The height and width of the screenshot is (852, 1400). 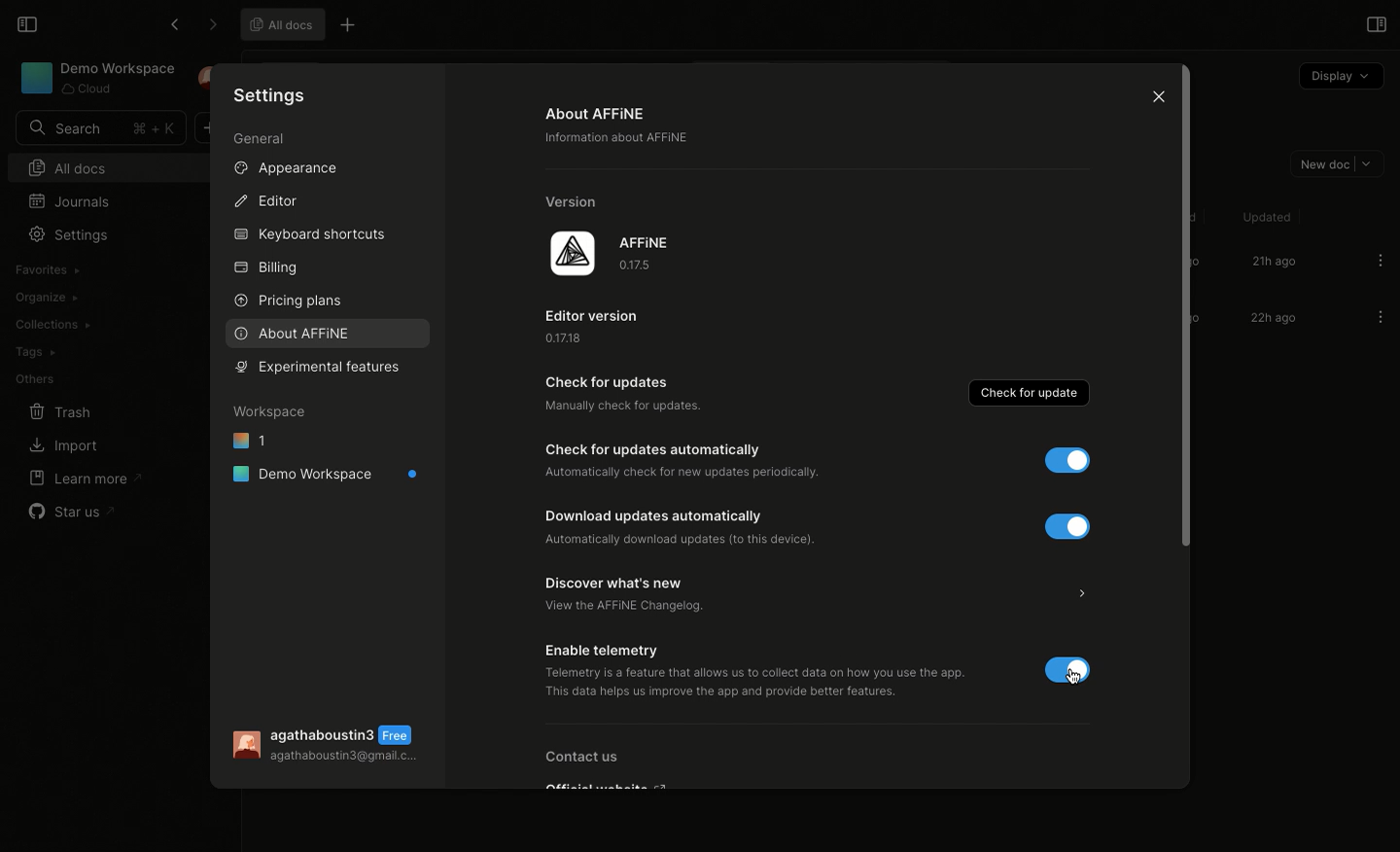 I want to click on Others, so click(x=35, y=379).